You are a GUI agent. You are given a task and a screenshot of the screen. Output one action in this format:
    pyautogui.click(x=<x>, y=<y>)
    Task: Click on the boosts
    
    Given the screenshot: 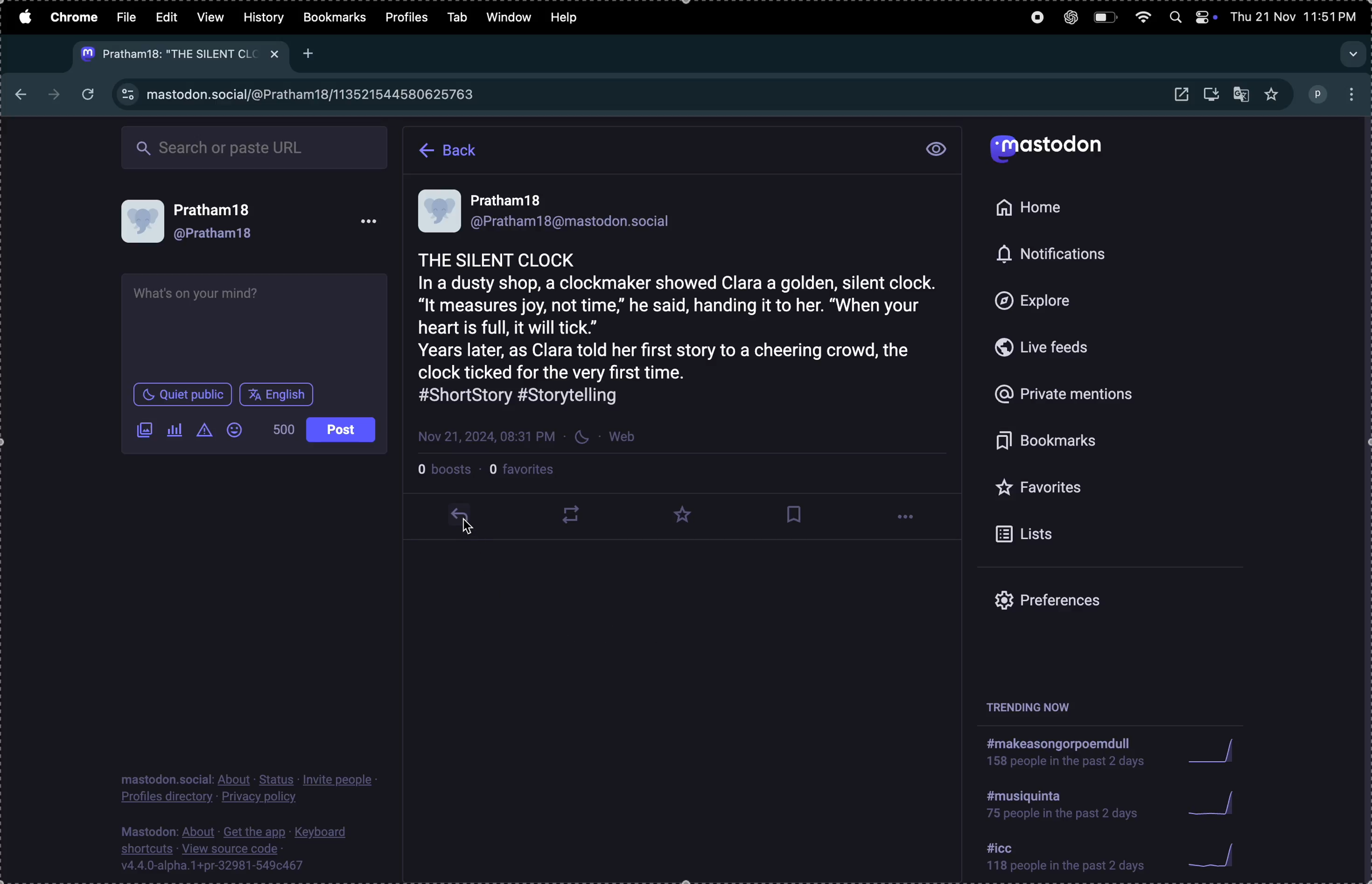 What is the action you would take?
    pyautogui.click(x=446, y=467)
    